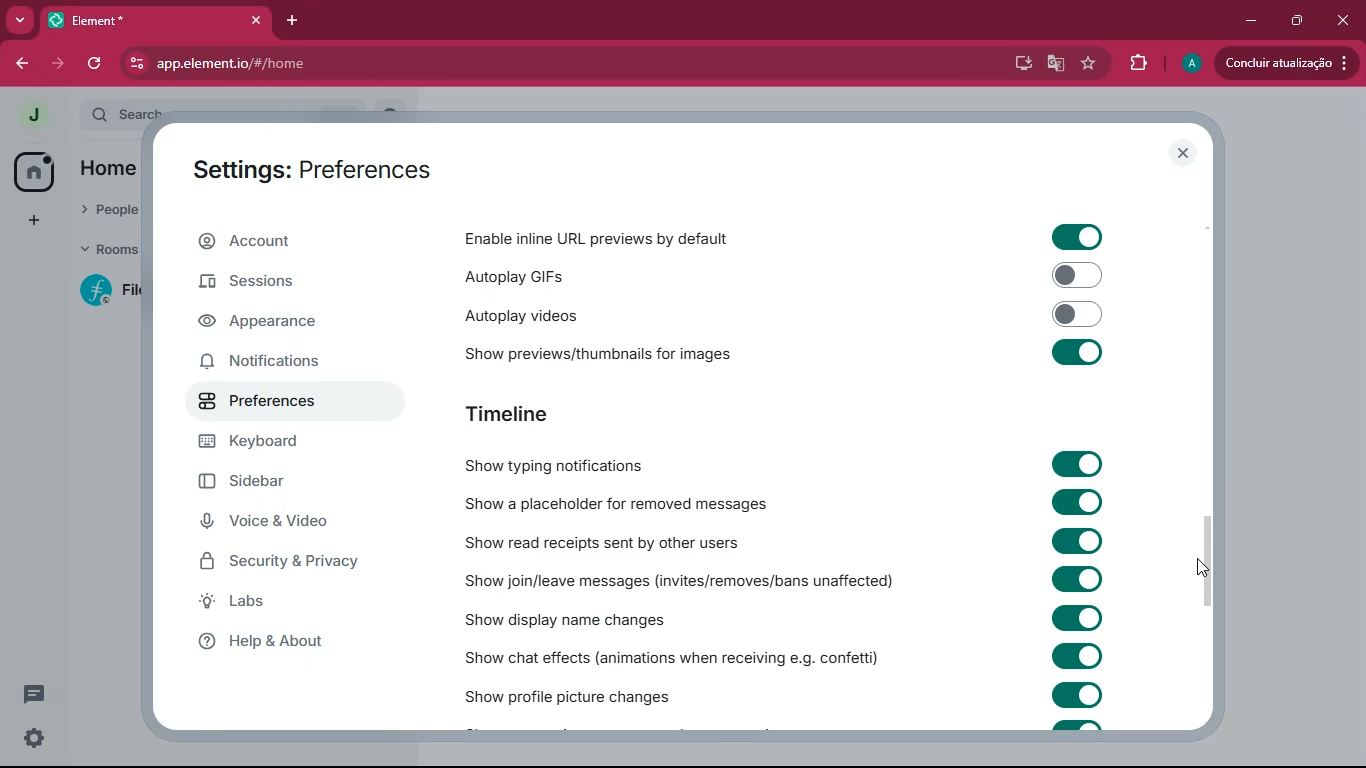 This screenshot has height=768, width=1366. I want to click on toggle on/off, so click(1078, 275).